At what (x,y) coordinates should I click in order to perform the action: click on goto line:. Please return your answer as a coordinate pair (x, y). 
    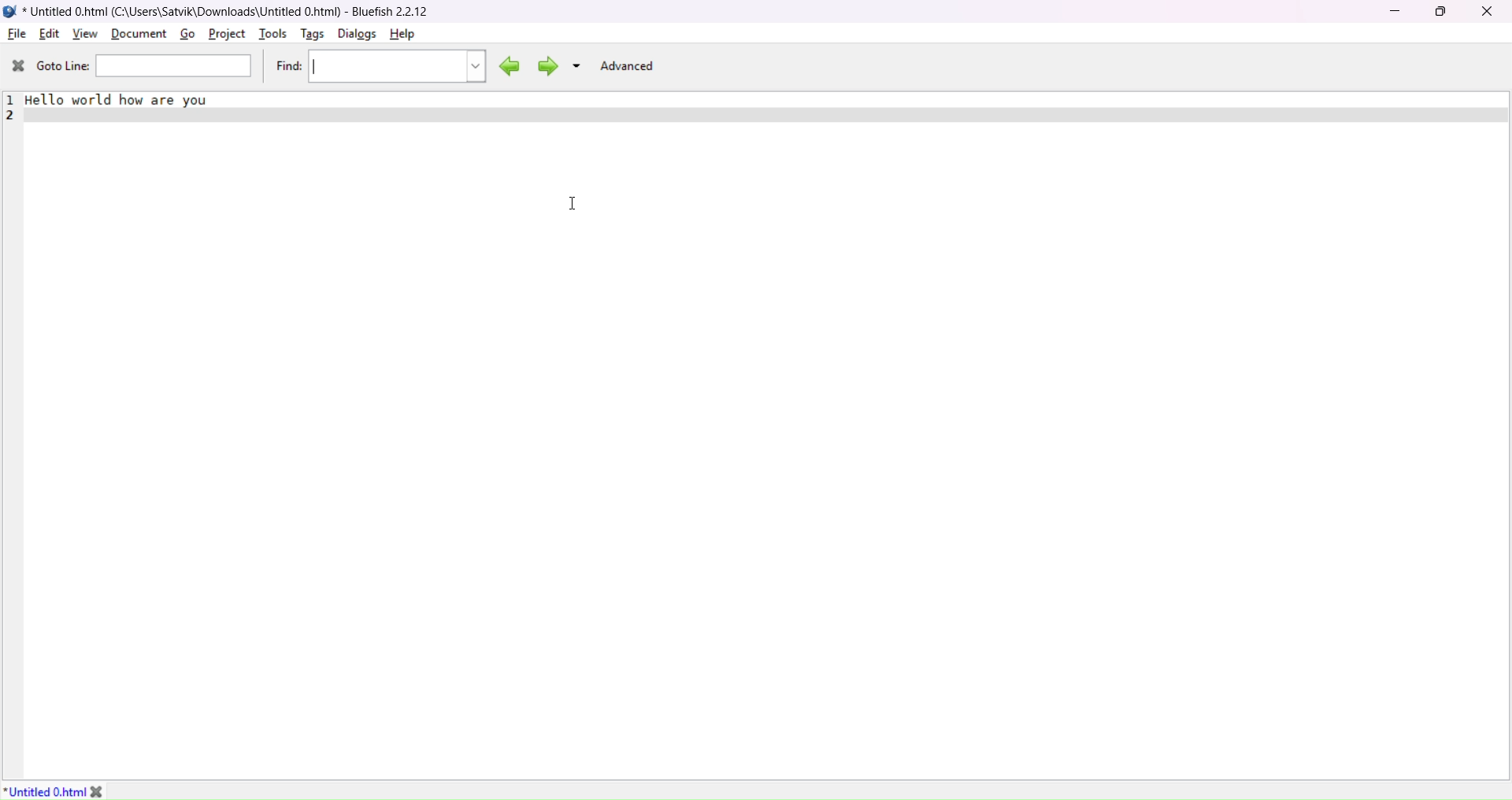
    Looking at the image, I should click on (64, 67).